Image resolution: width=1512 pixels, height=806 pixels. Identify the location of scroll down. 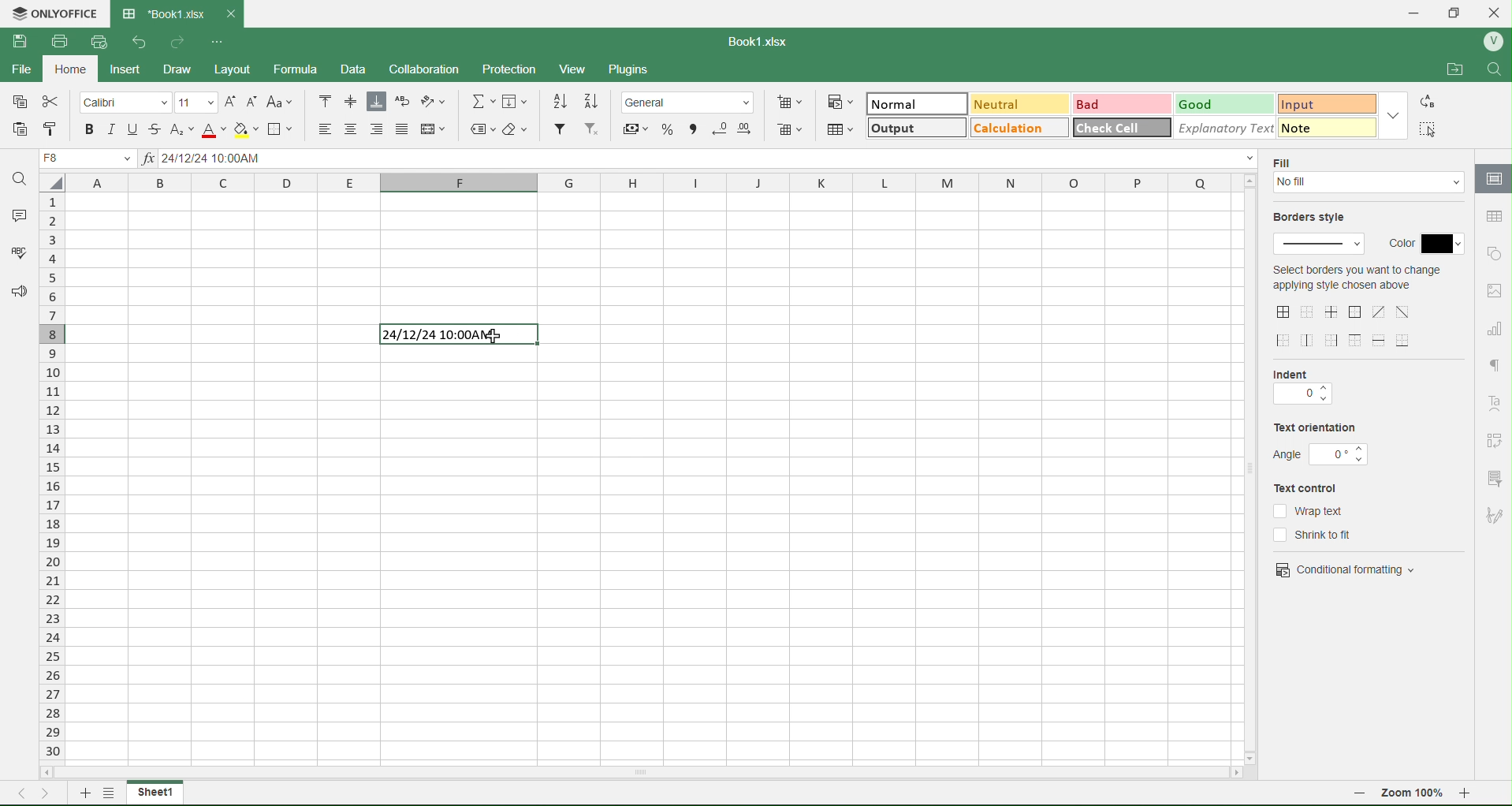
(1254, 753).